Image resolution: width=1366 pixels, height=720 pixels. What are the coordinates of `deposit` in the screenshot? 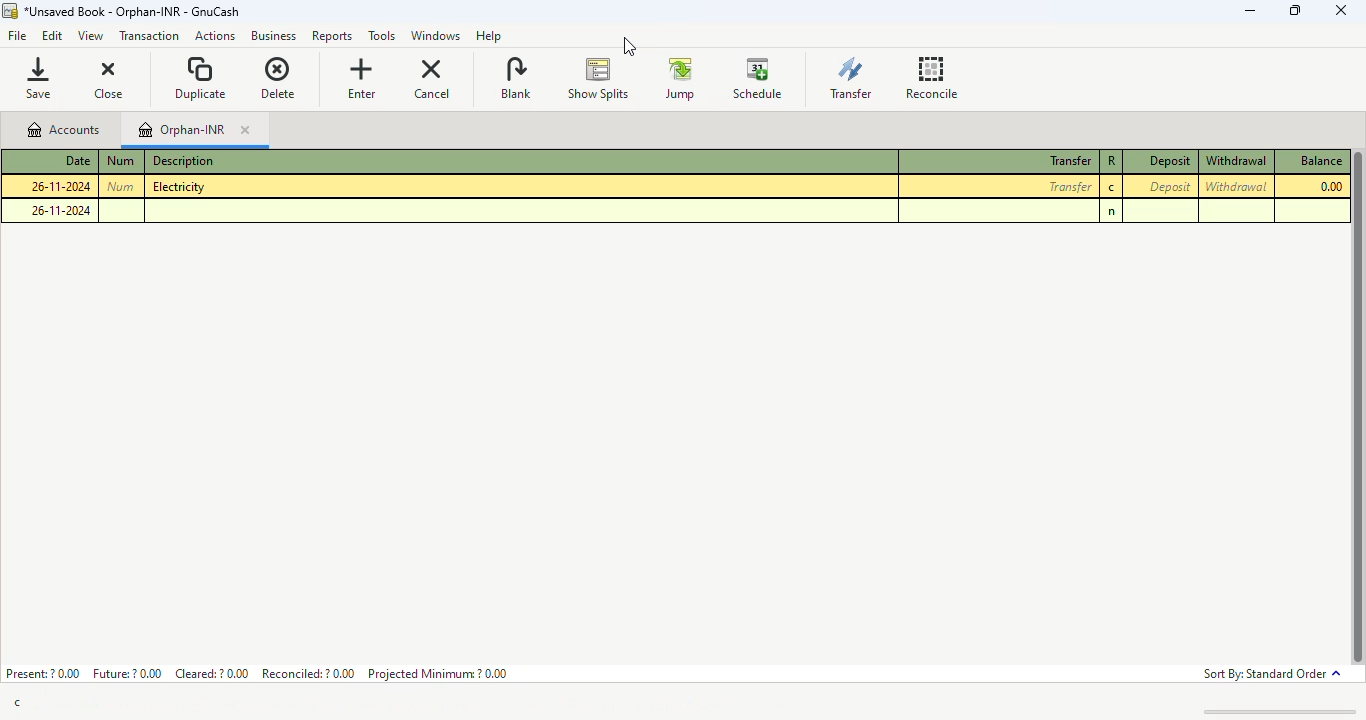 It's located at (1170, 186).